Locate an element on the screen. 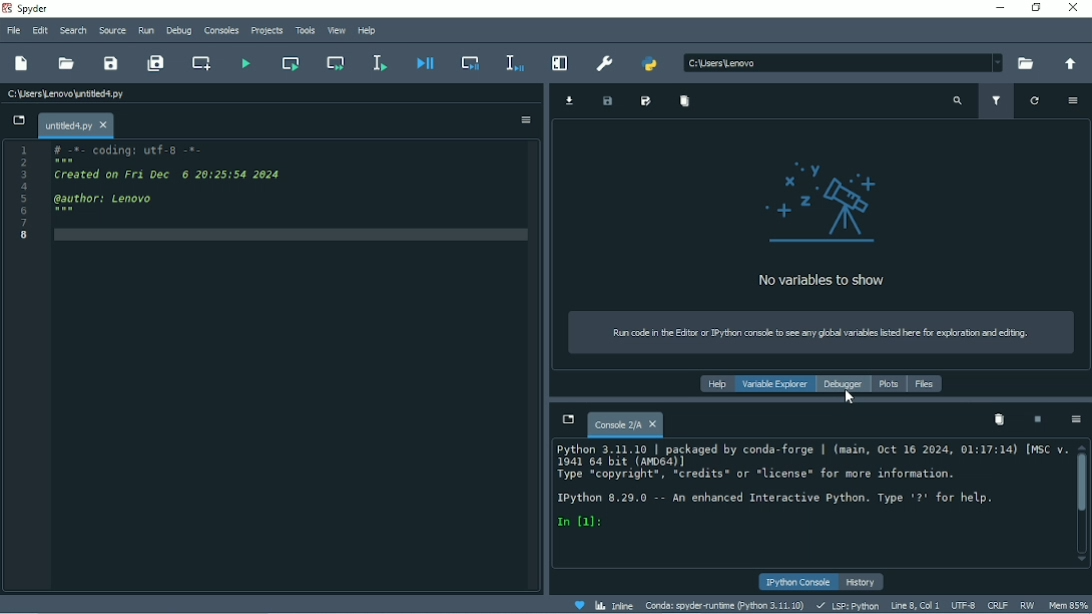 The height and width of the screenshot is (614, 1092). Python 3.11.10 | packaged by conds-forge | (mein, Oct 16 2024, 01:17:14) [MSC v.
1041 64 bit (064)]

Type “copyright*, *credits* or *license* for more information.

Python 8.29.0 -- An enhanced Interactive Python. Type '2' for help.

n fa: is located at coordinates (808, 493).